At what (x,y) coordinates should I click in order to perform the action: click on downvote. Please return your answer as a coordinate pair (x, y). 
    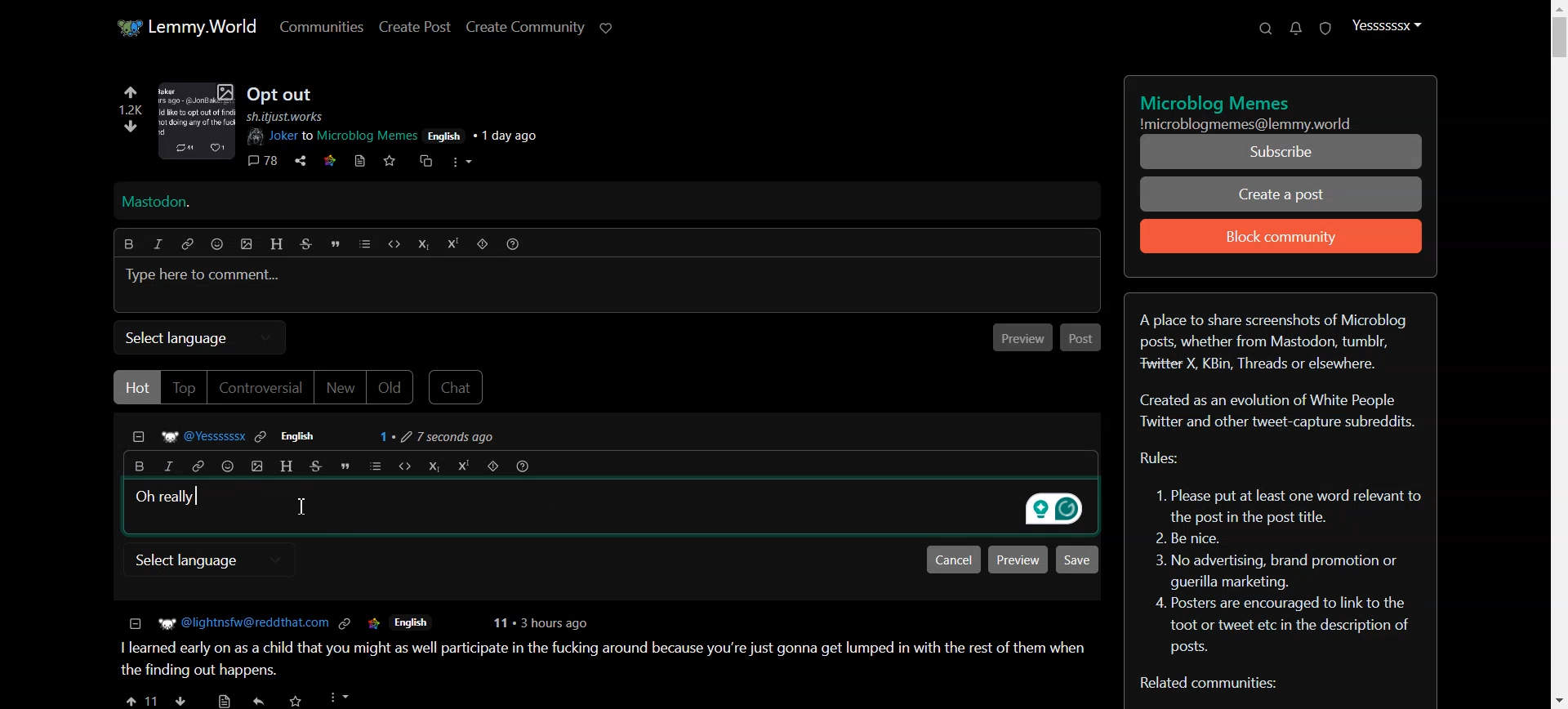
    Looking at the image, I should click on (132, 125).